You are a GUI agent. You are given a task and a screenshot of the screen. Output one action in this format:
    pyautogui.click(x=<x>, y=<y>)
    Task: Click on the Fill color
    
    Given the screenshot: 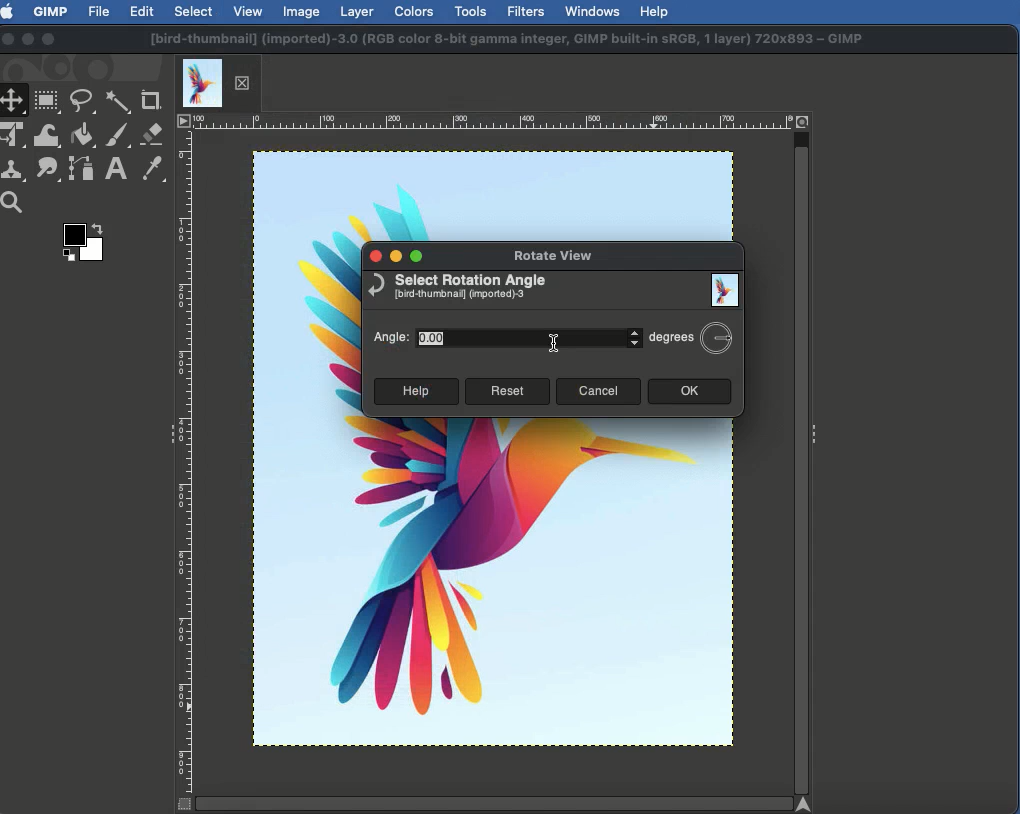 What is the action you would take?
    pyautogui.click(x=81, y=137)
    